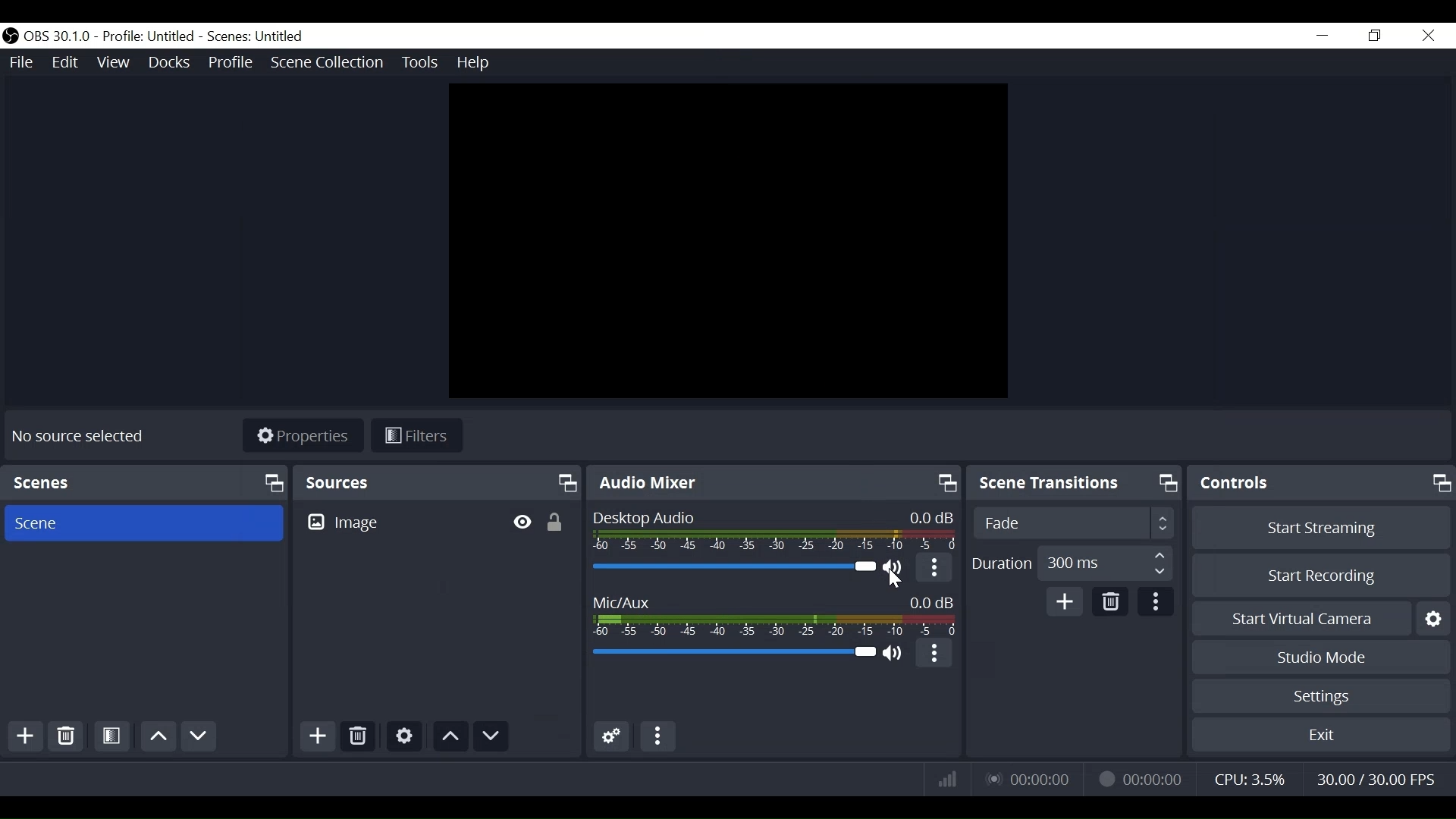 Image resolution: width=1456 pixels, height=819 pixels. Describe the element at coordinates (24, 65) in the screenshot. I see `File` at that location.